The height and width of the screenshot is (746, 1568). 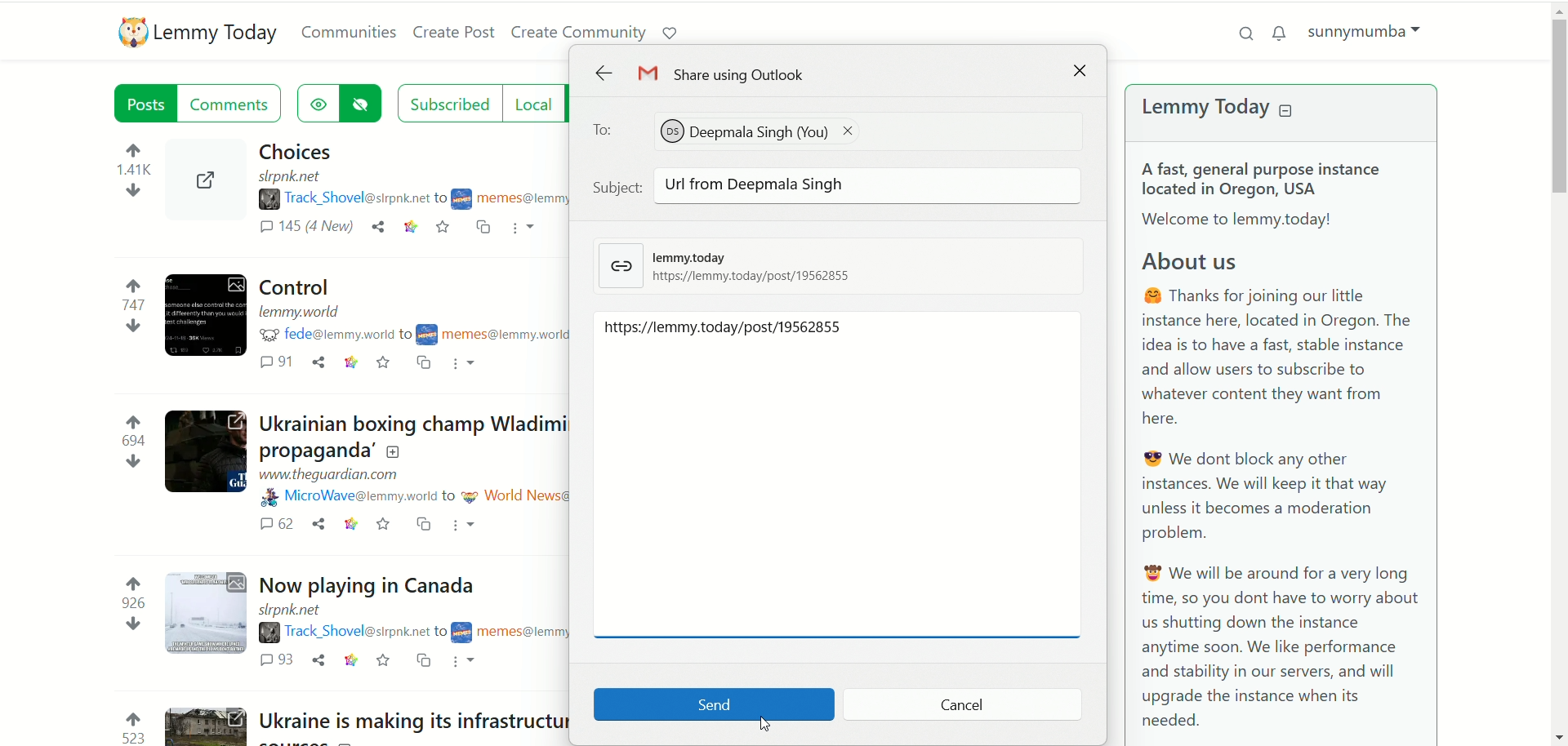 What do you see at coordinates (469, 363) in the screenshot?
I see `more` at bounding box center [469, 363].